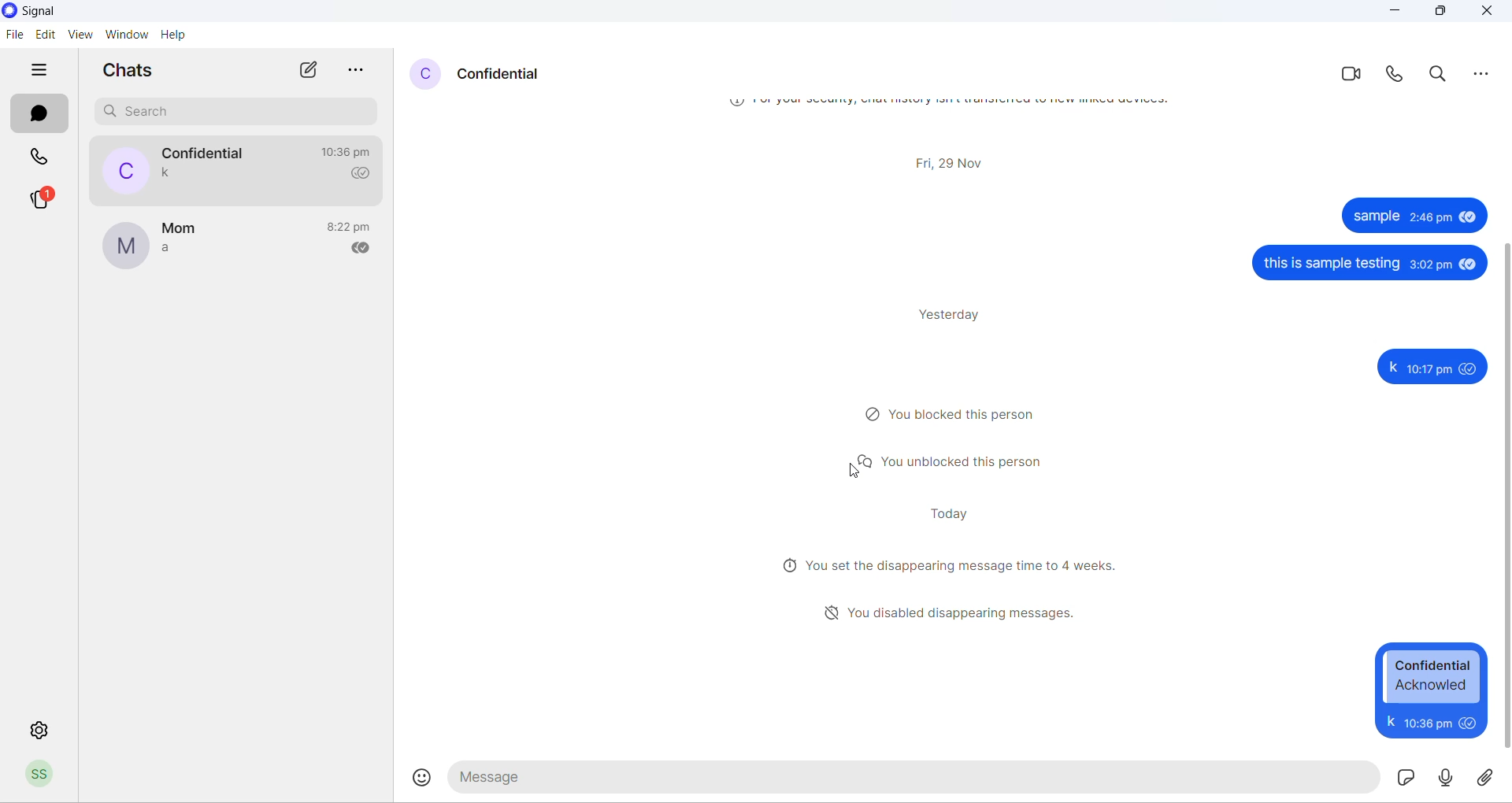  Describe the element at coordinates (352, 225) in the screenshot. I see `last message time` at that location.